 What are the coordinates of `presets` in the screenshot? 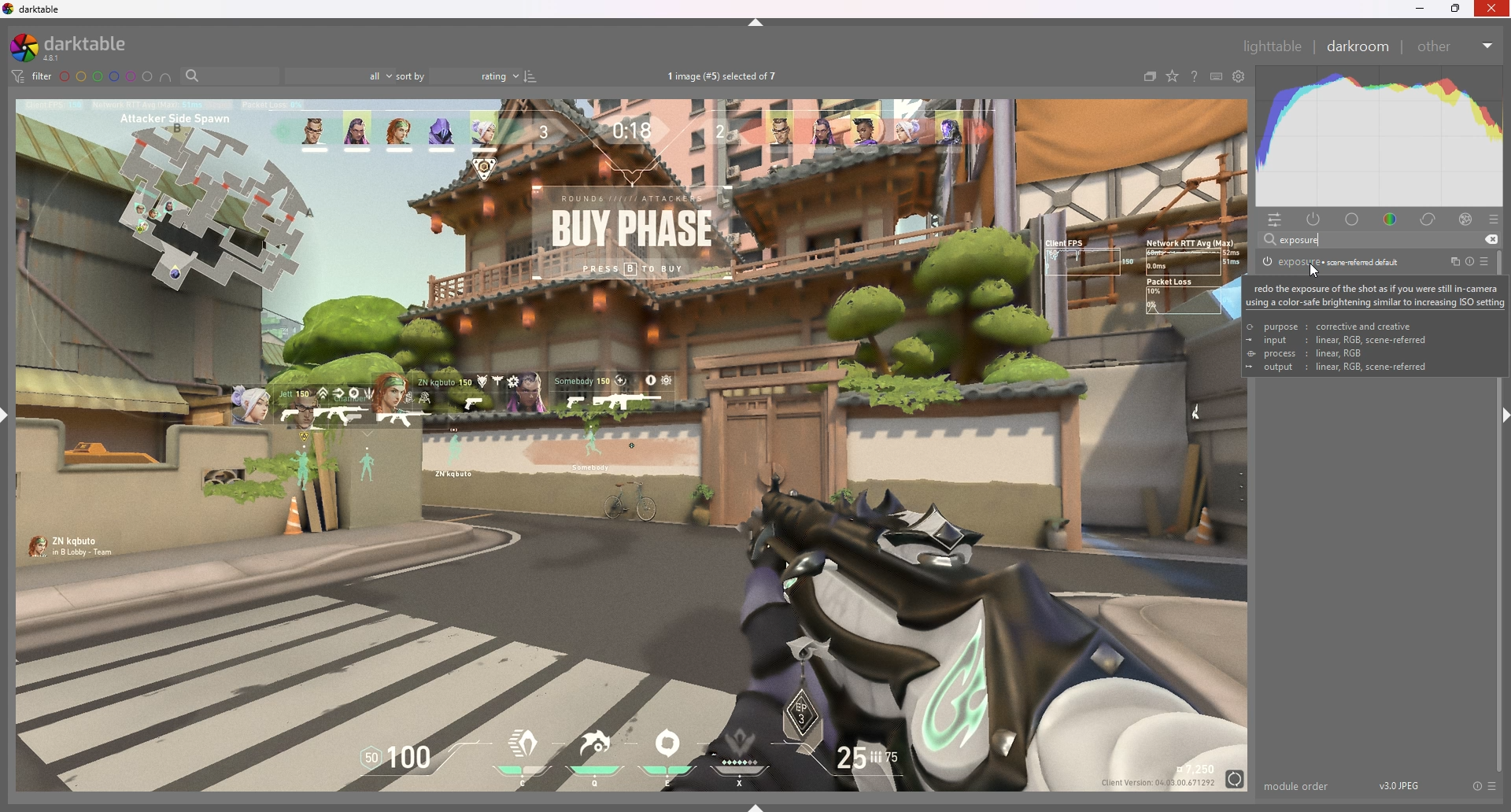 It's located at (1486, 261).